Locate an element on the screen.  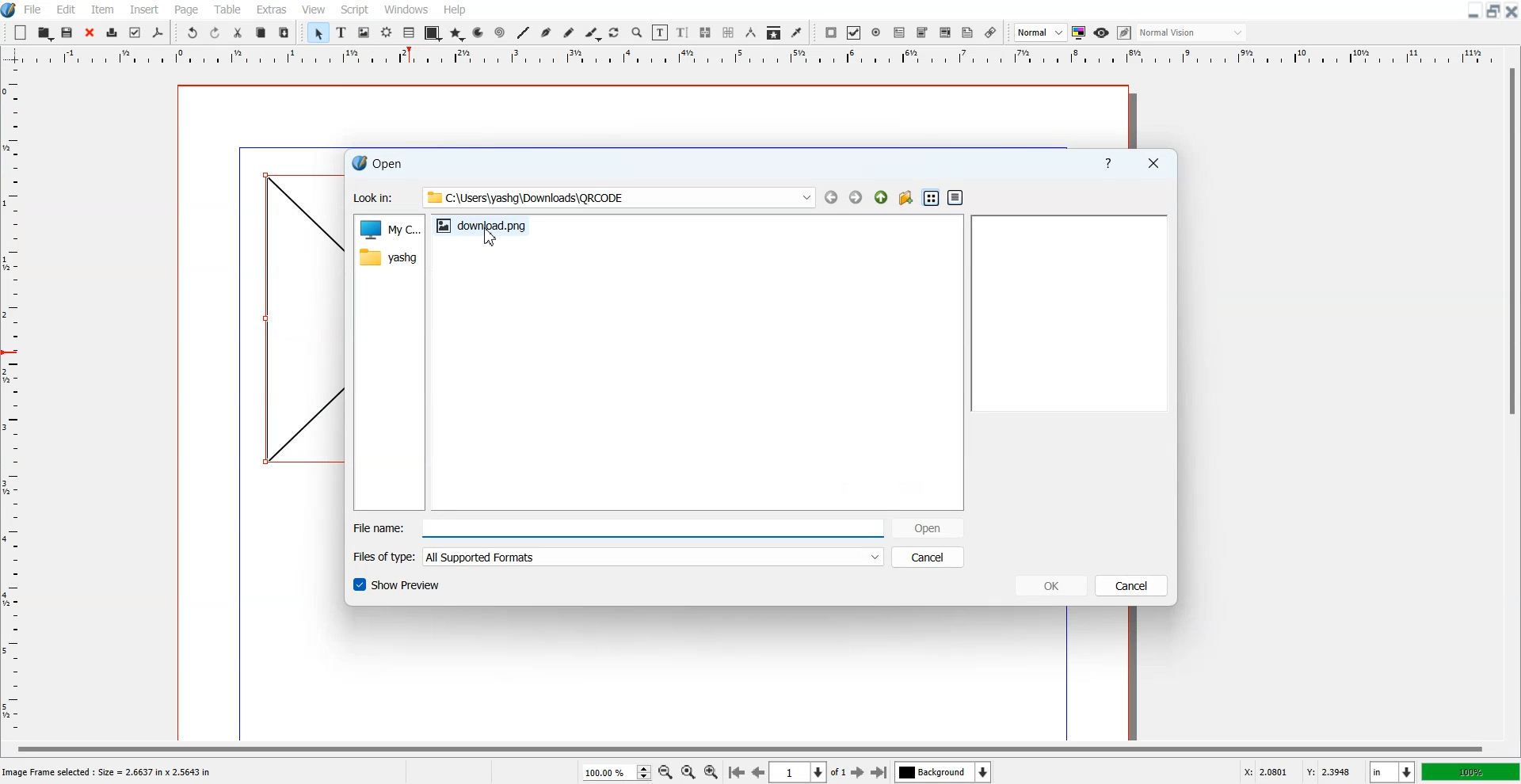
Measurements  is located at coordinates (750, 32).